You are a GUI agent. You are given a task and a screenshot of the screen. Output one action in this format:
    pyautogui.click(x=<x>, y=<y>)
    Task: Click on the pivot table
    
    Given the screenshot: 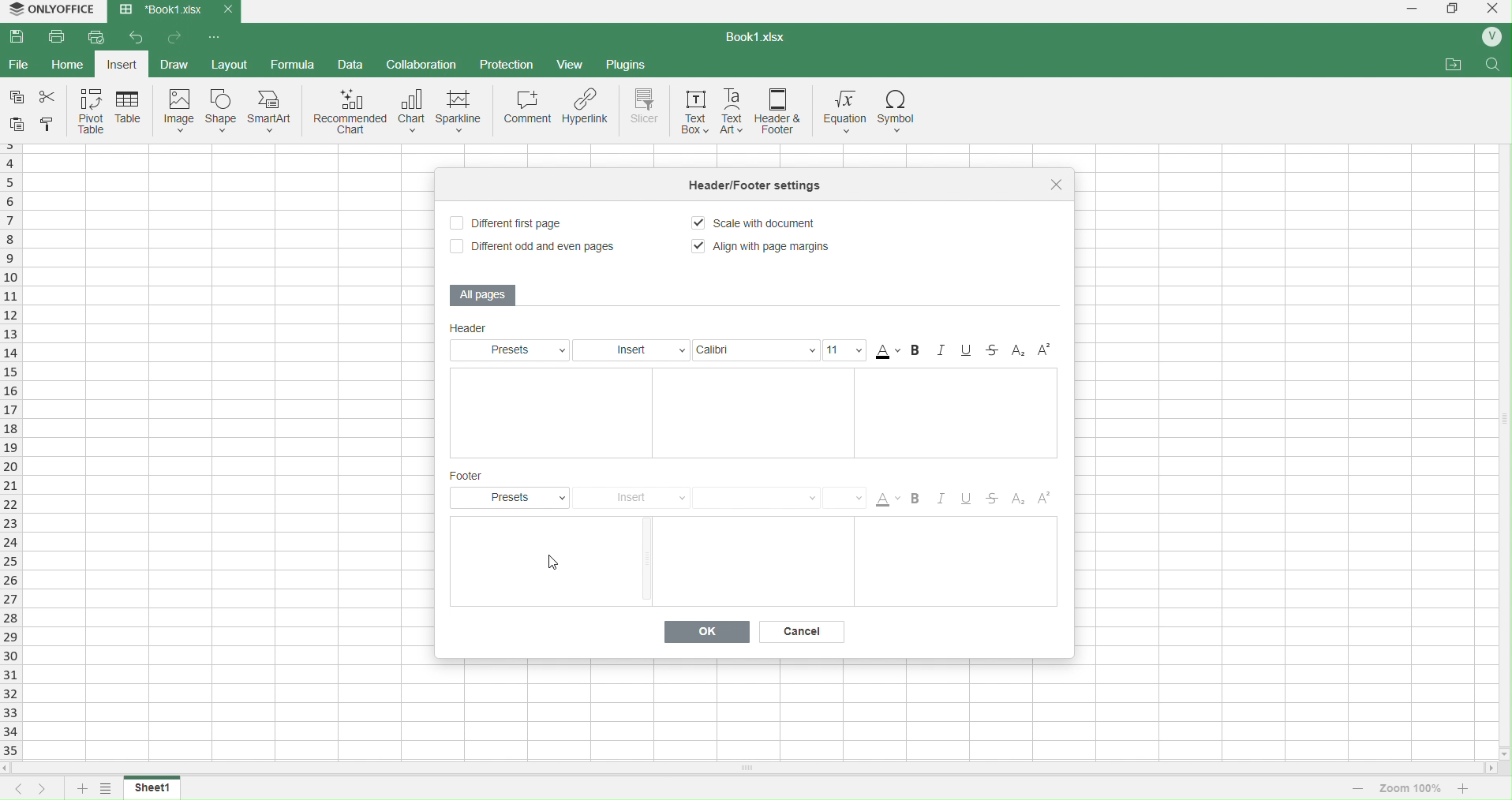 What is the action you would take?
    pyautogui.click(x=88, y=112)
    